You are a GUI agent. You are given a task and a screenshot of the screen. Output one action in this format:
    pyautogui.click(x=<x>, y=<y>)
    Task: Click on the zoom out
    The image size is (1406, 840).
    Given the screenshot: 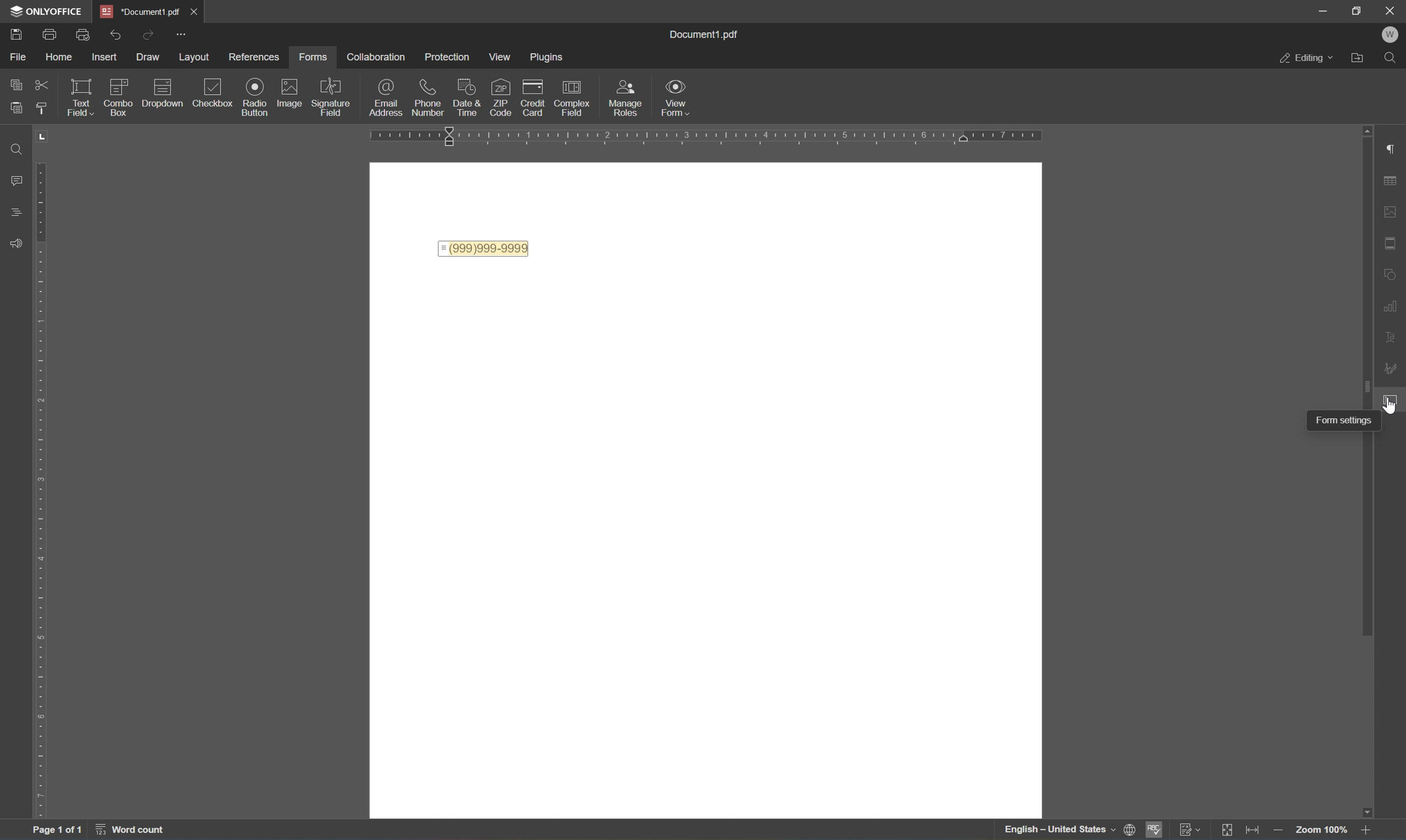 What is the action you would take?
    pyautogui.click(x=1280, y=832)
    